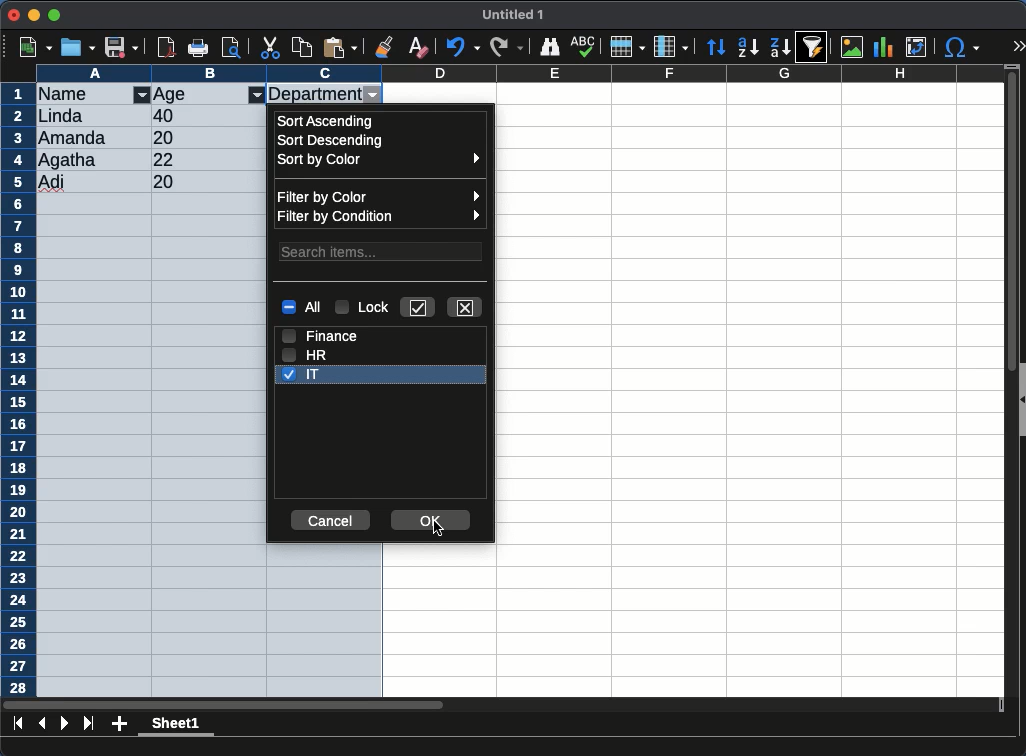 This screenshot has width=1026, height=756. What do you see at coordinates (59, 116) in the screenshot?
I see `linda` at bounding box center [59, 116].